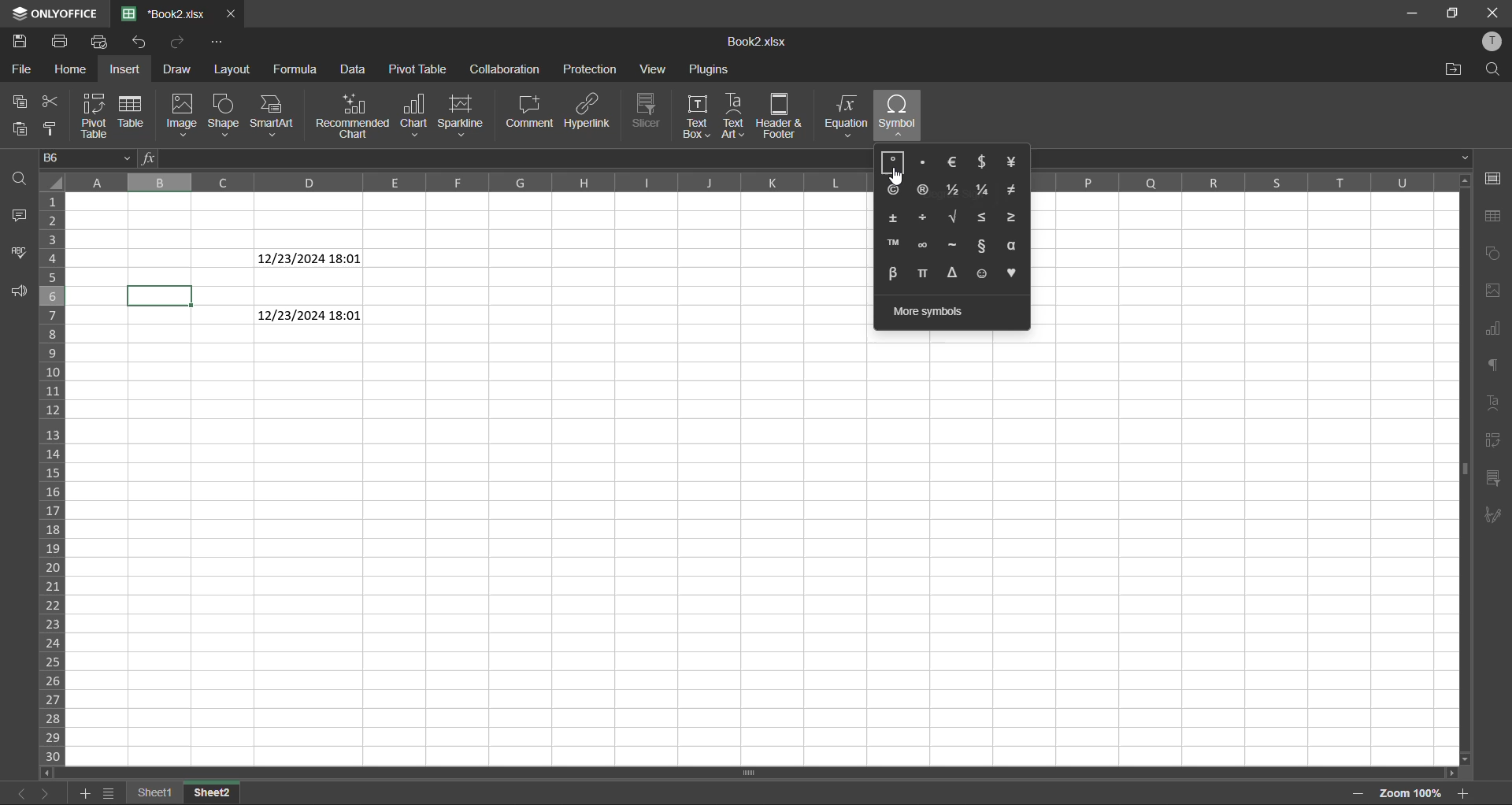 The width and height of the screenshot is (1512, 805). What do you see at coordinates (23, 291) in the screenshot?
I see `feedback` at bounding box center [23, 291].